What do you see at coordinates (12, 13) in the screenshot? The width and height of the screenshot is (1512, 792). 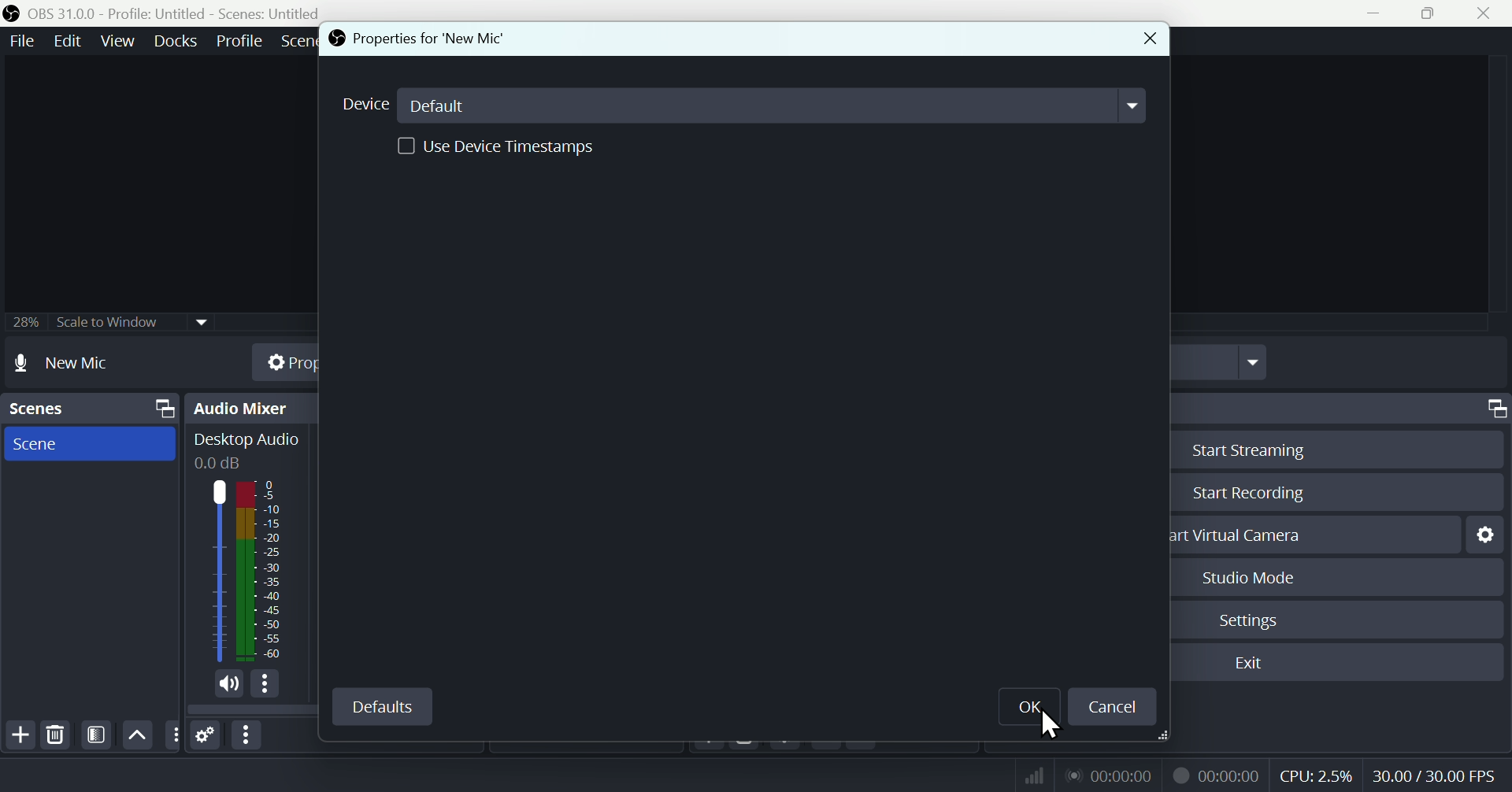 I see `OBS Studio Desktop Icon` at bounding box center [12, 13].